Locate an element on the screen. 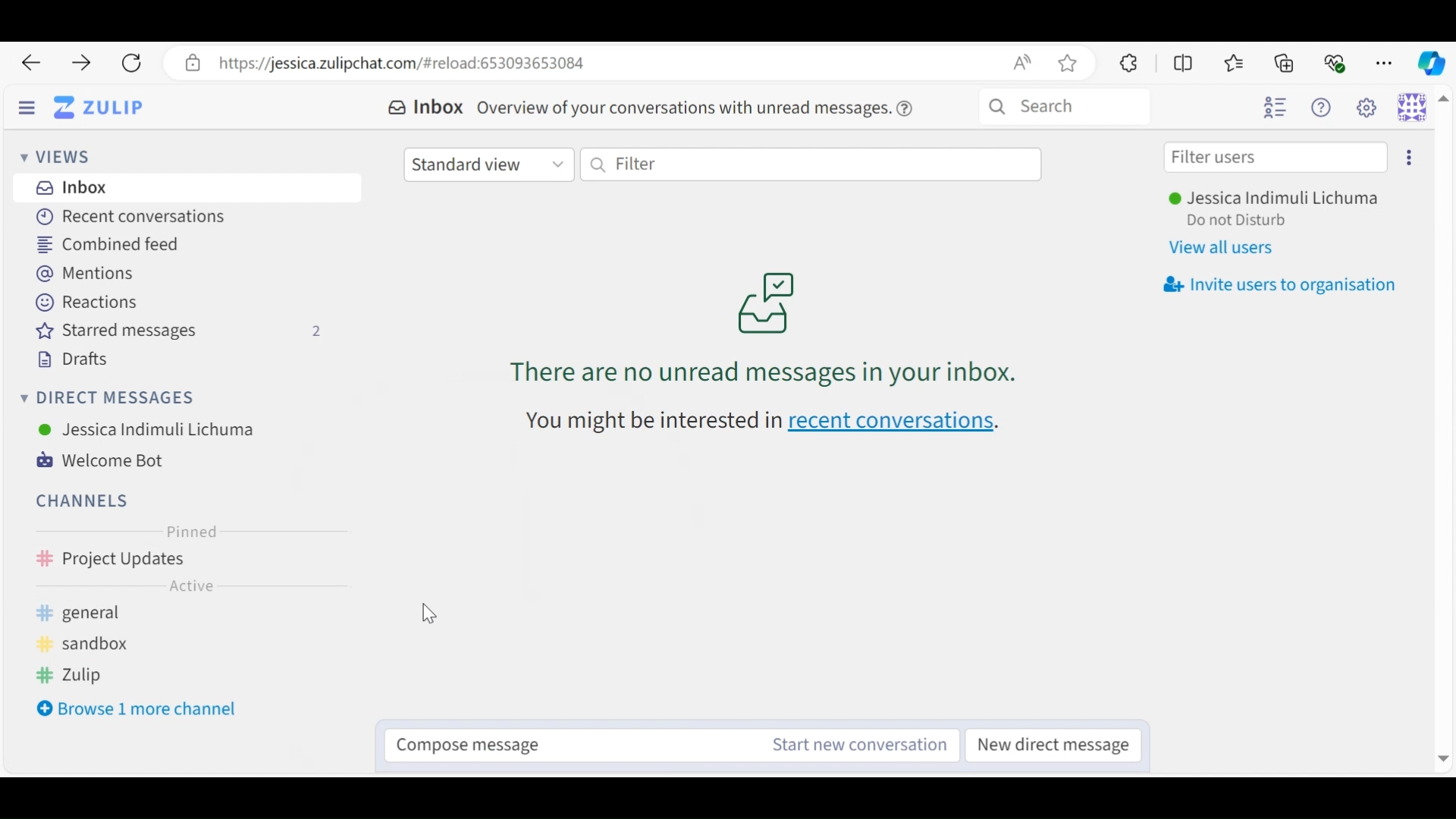  Standard View is located at coordinates (490, 163).